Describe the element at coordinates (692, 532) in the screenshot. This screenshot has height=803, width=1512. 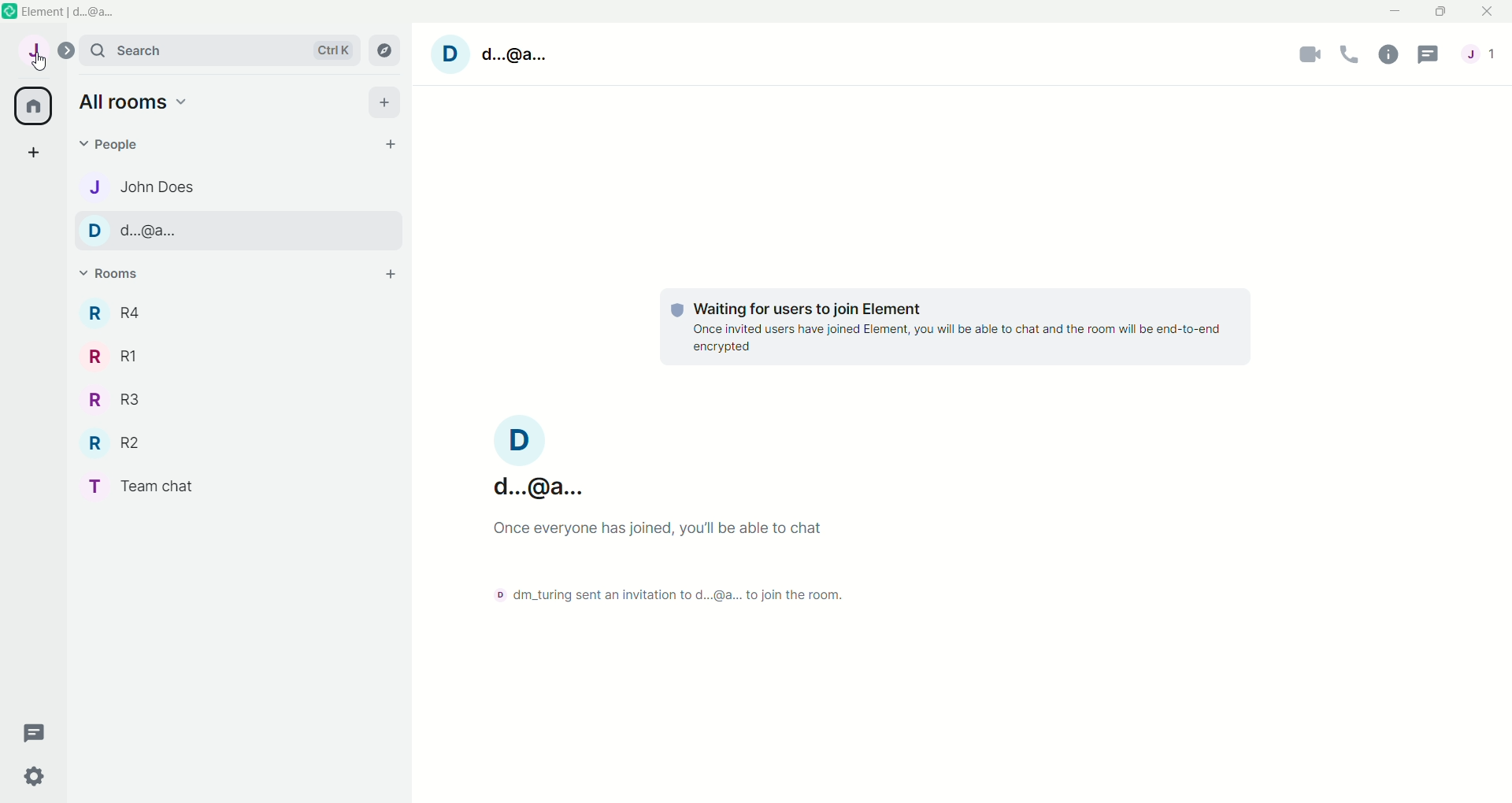
I see `Once invited users have joined, you will be able to chat.` at that location.